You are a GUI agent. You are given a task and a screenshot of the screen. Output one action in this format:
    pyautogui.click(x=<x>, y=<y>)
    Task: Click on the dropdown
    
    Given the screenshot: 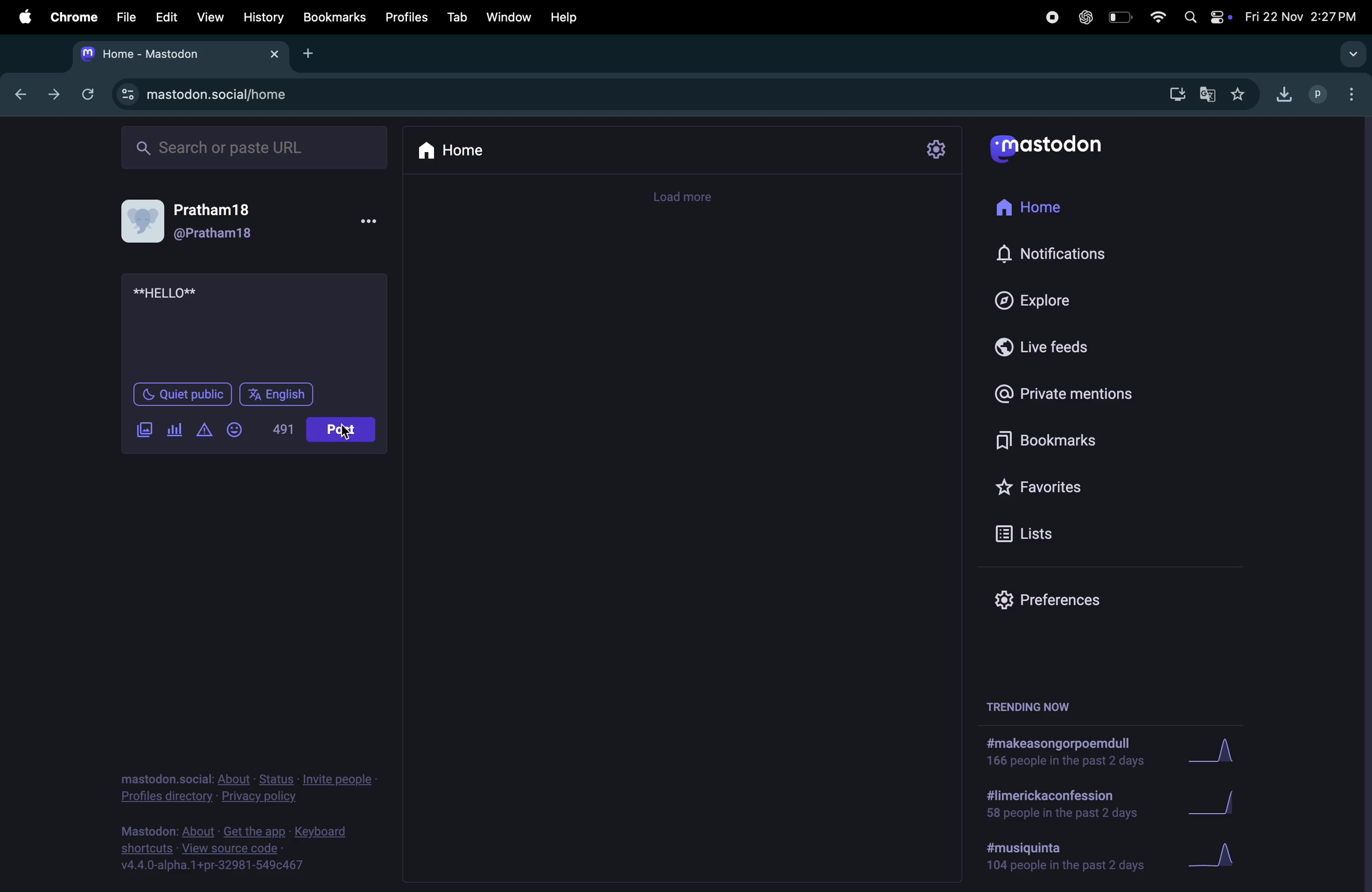 What is the action you would take?
    pyautogui.click(x=1343, y=54)
    